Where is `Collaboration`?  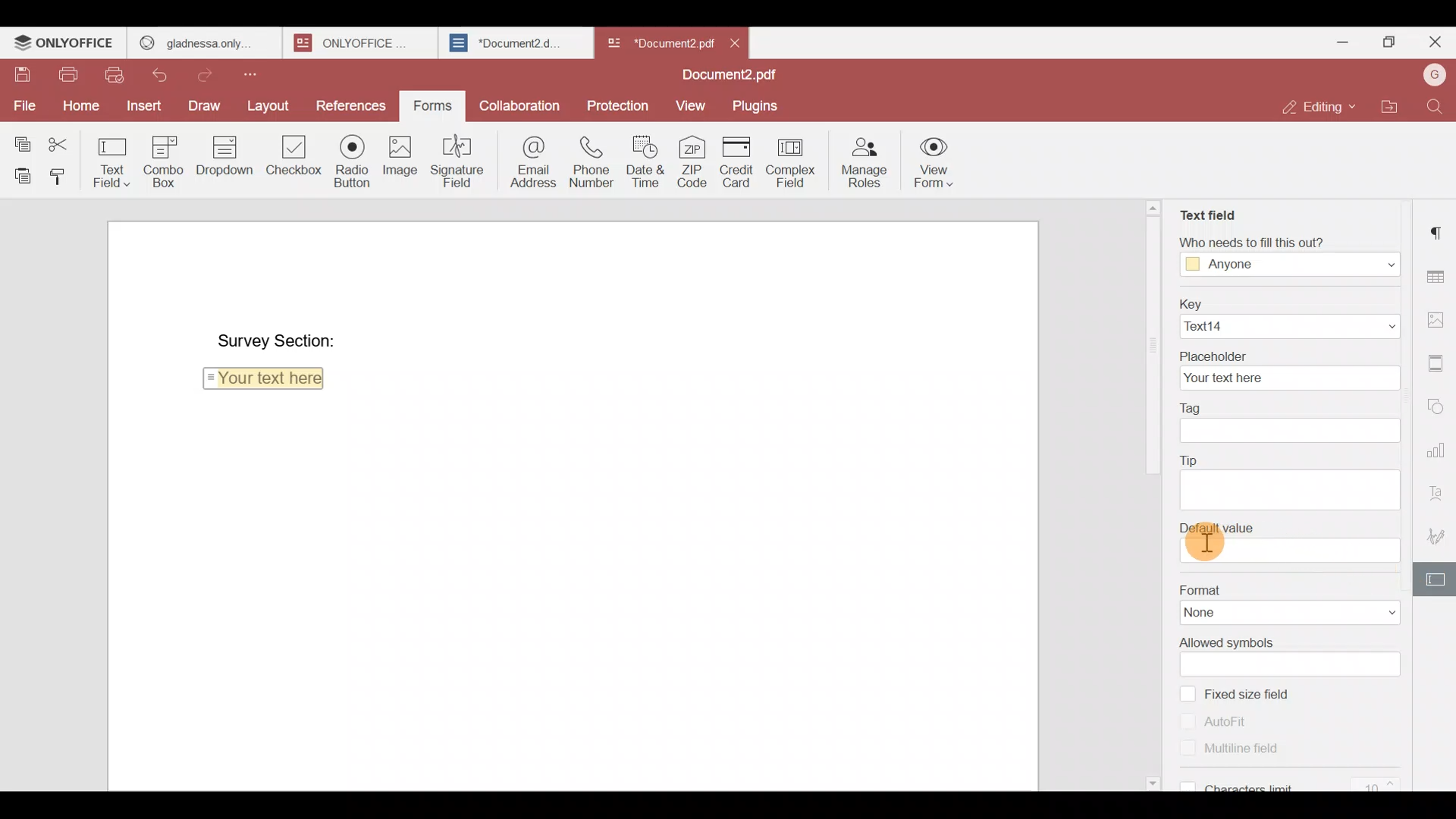 Collaboration is located at coordinates (522, 108).